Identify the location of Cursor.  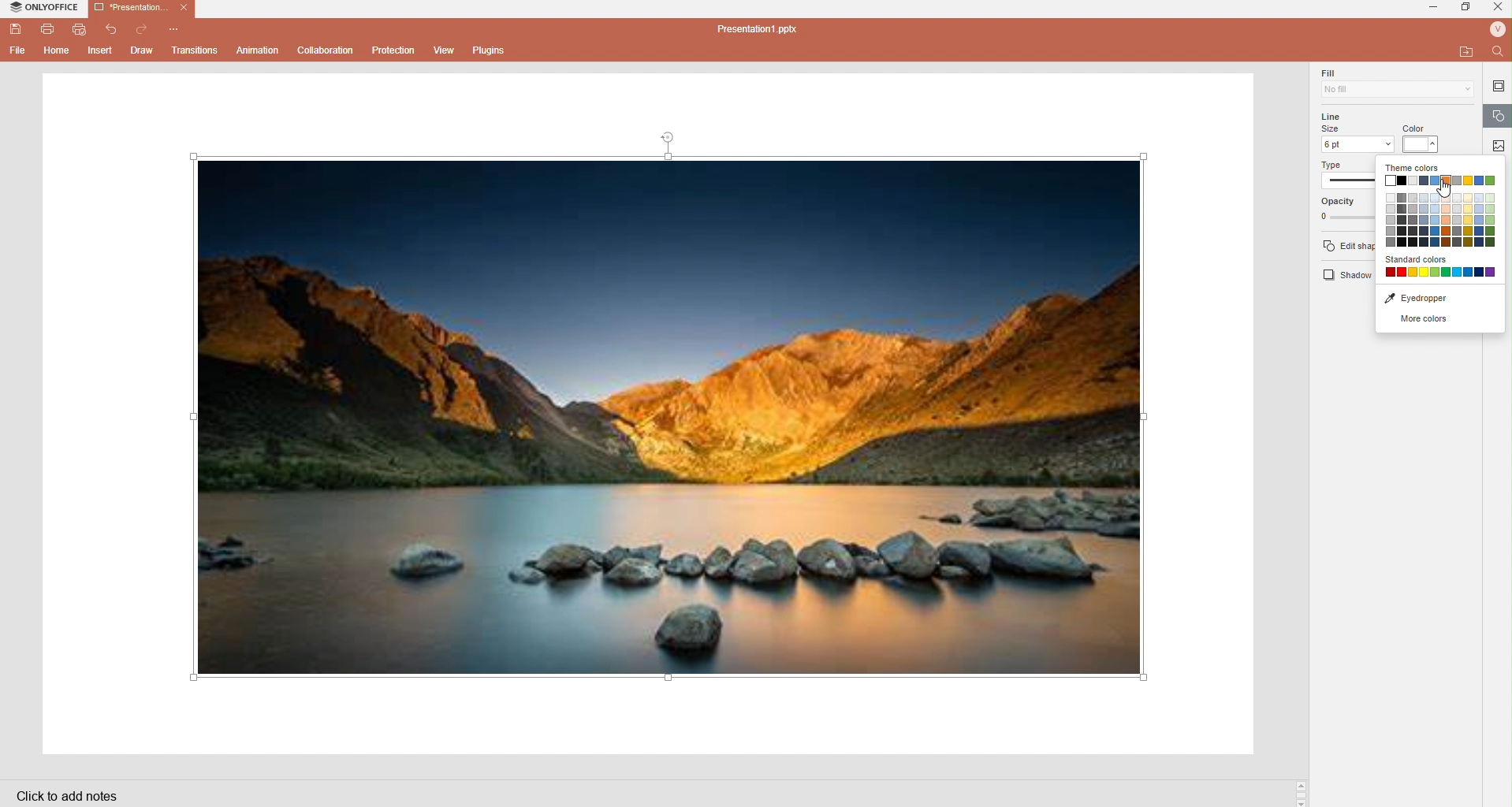
(1446, 189).